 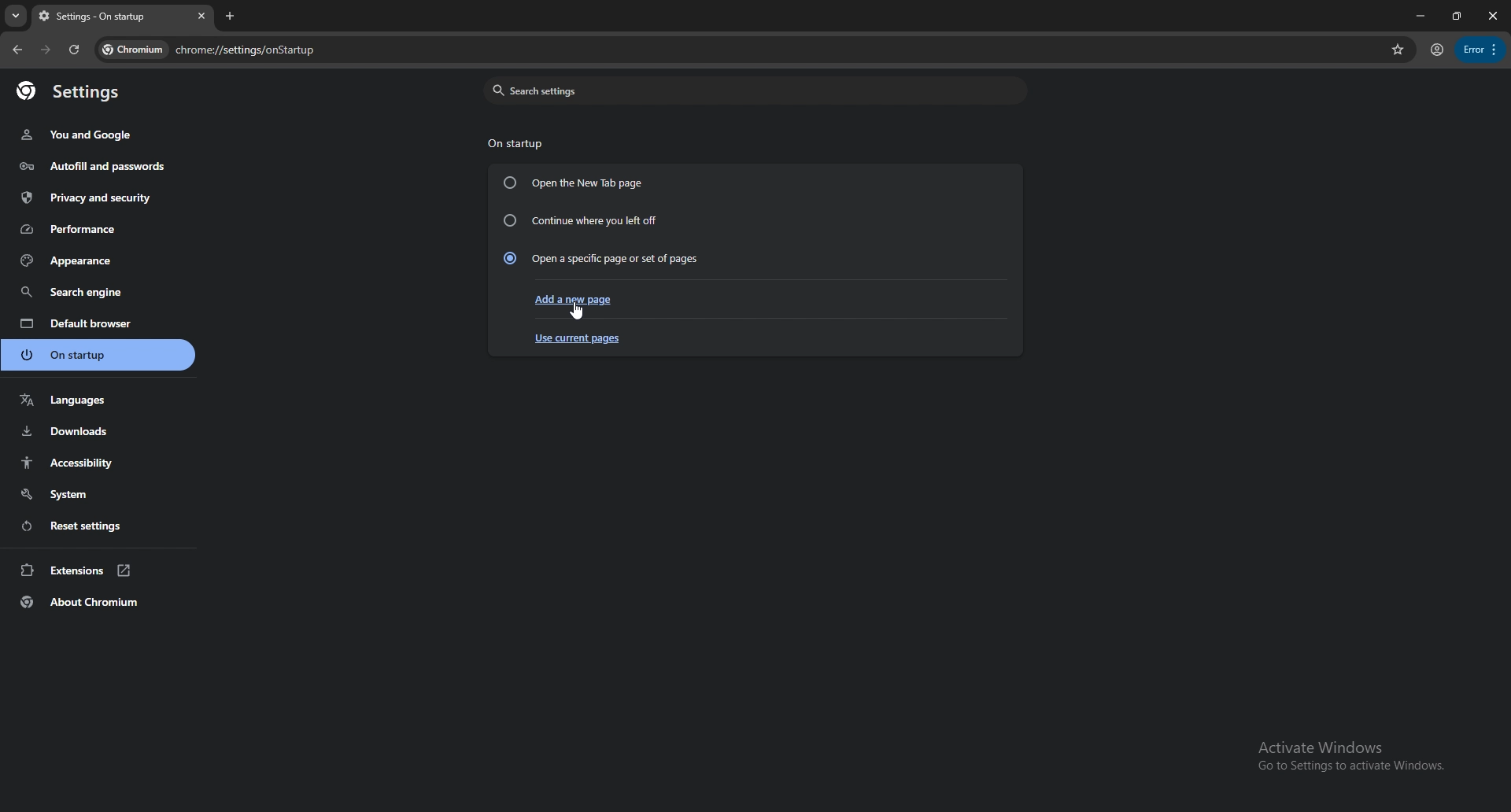 What do you see at coordinates (599, 257) in the screenshot?
I see `open a specific page or set of pages` at bounding box center [599, 257].